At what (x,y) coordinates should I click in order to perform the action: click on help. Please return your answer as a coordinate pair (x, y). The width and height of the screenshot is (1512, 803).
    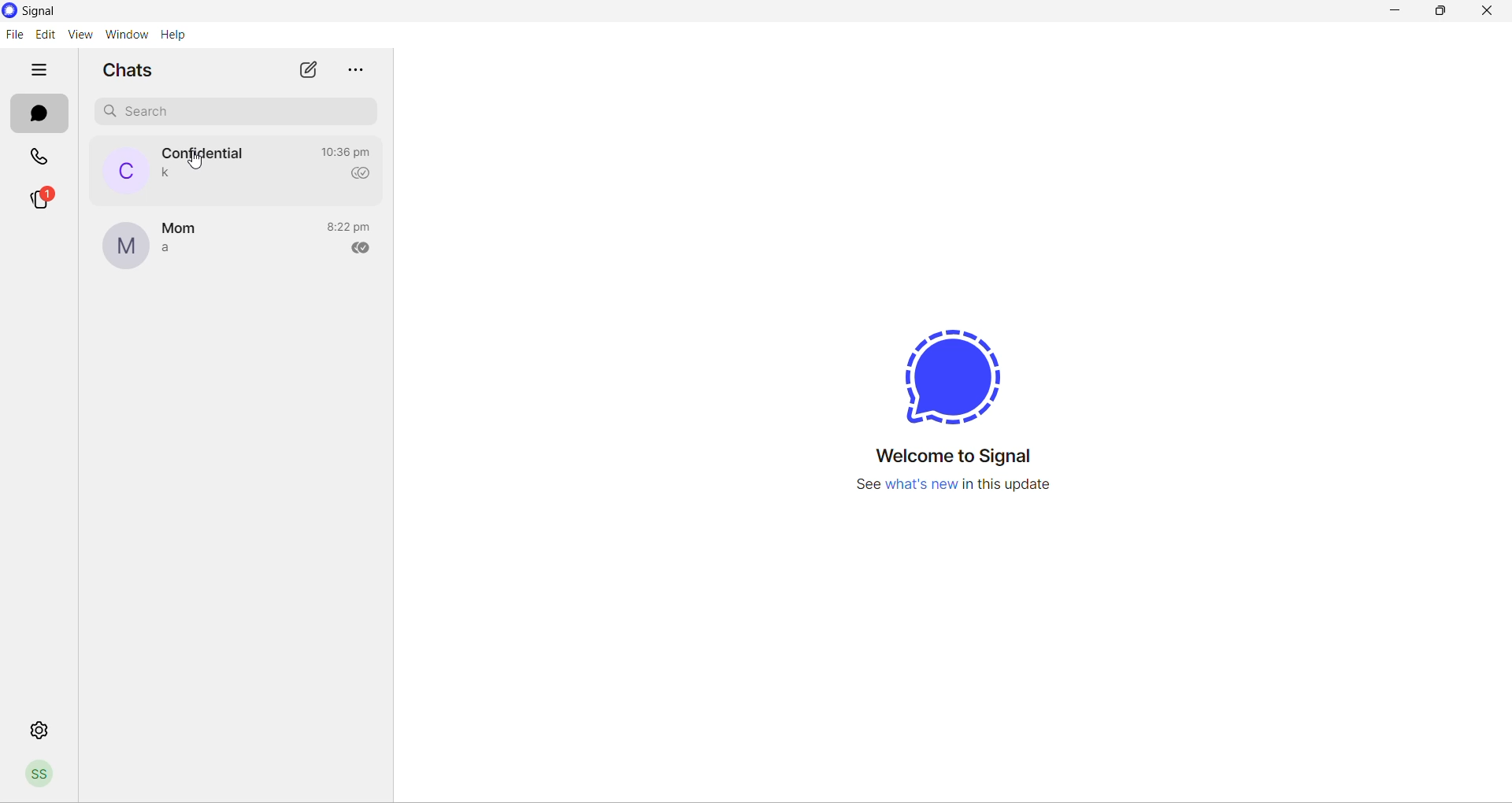
    Looking at the image, I should click on (176, 38).